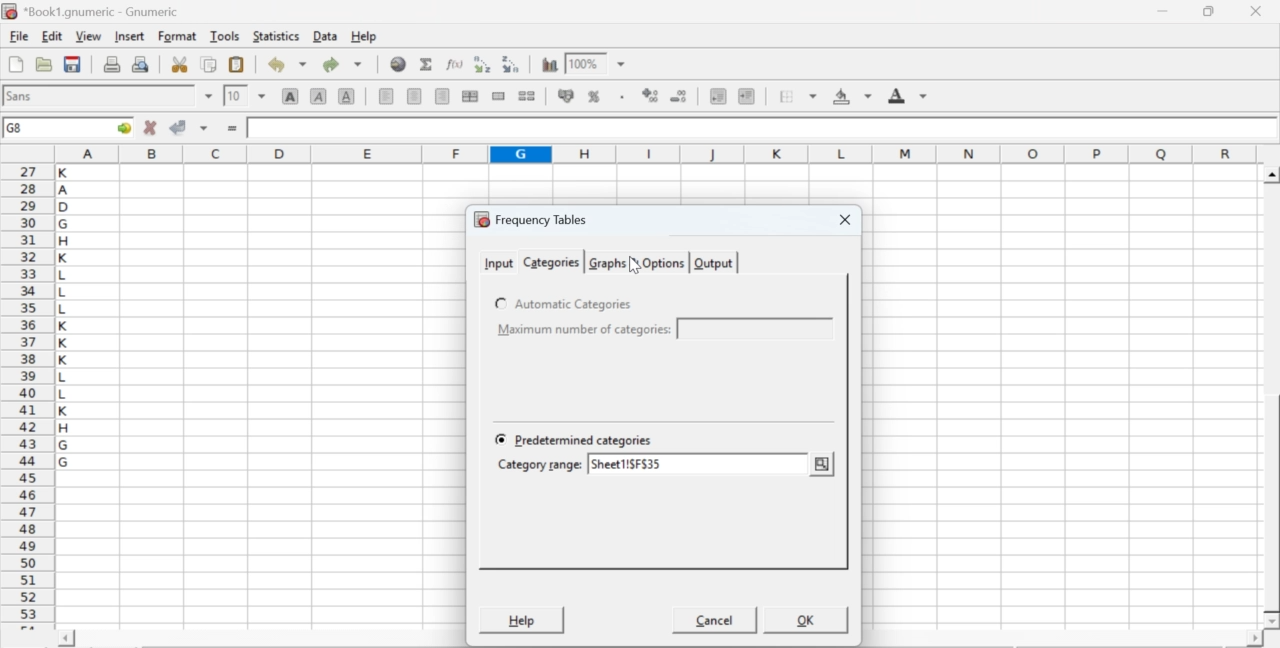 This screenshot has height=648, width=1280. Describe the element at coordinates (320, 95) in the screenshot. I see `italic` at that location.